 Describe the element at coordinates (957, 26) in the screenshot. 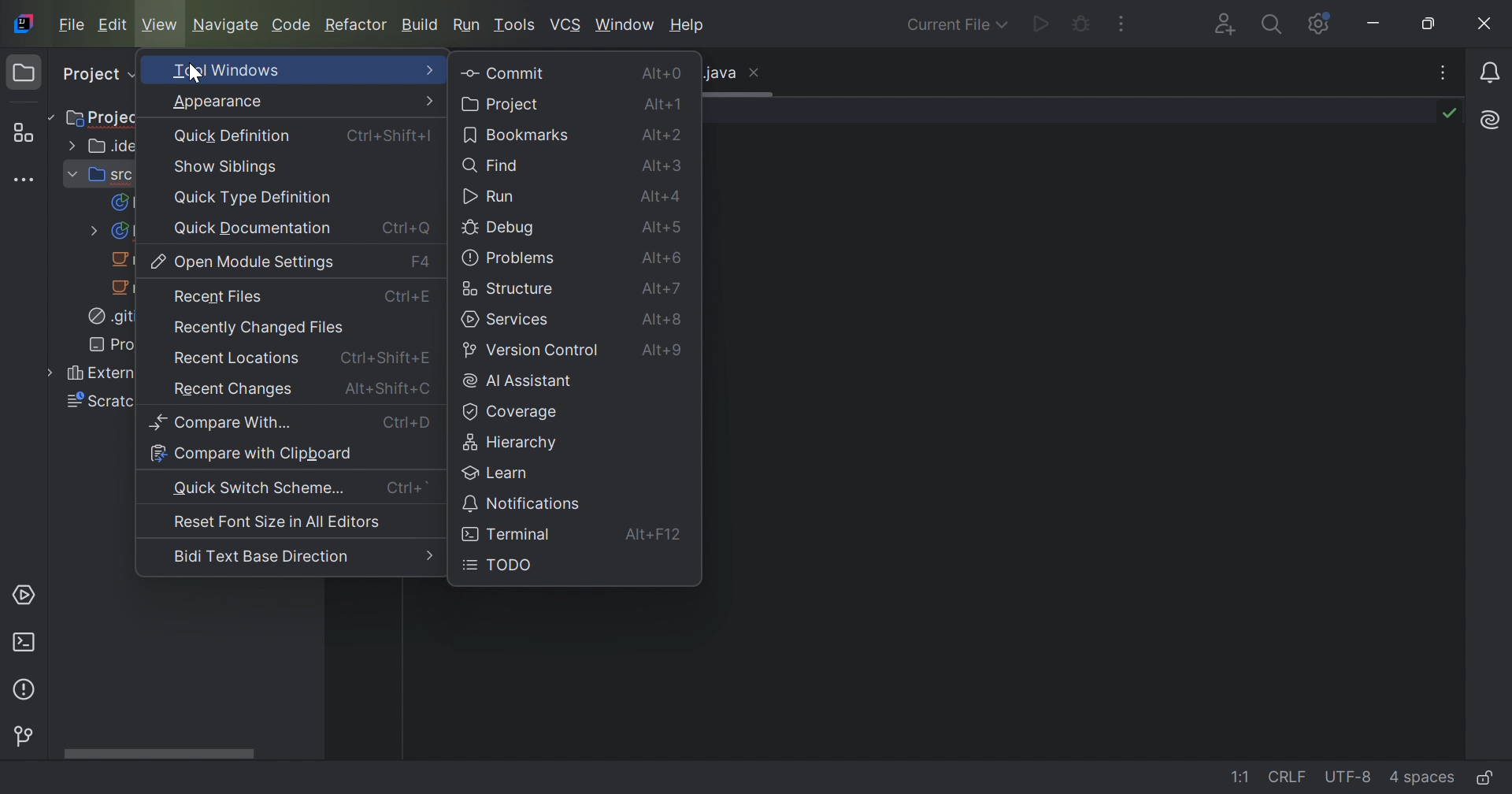

I see `Current File` at that location.